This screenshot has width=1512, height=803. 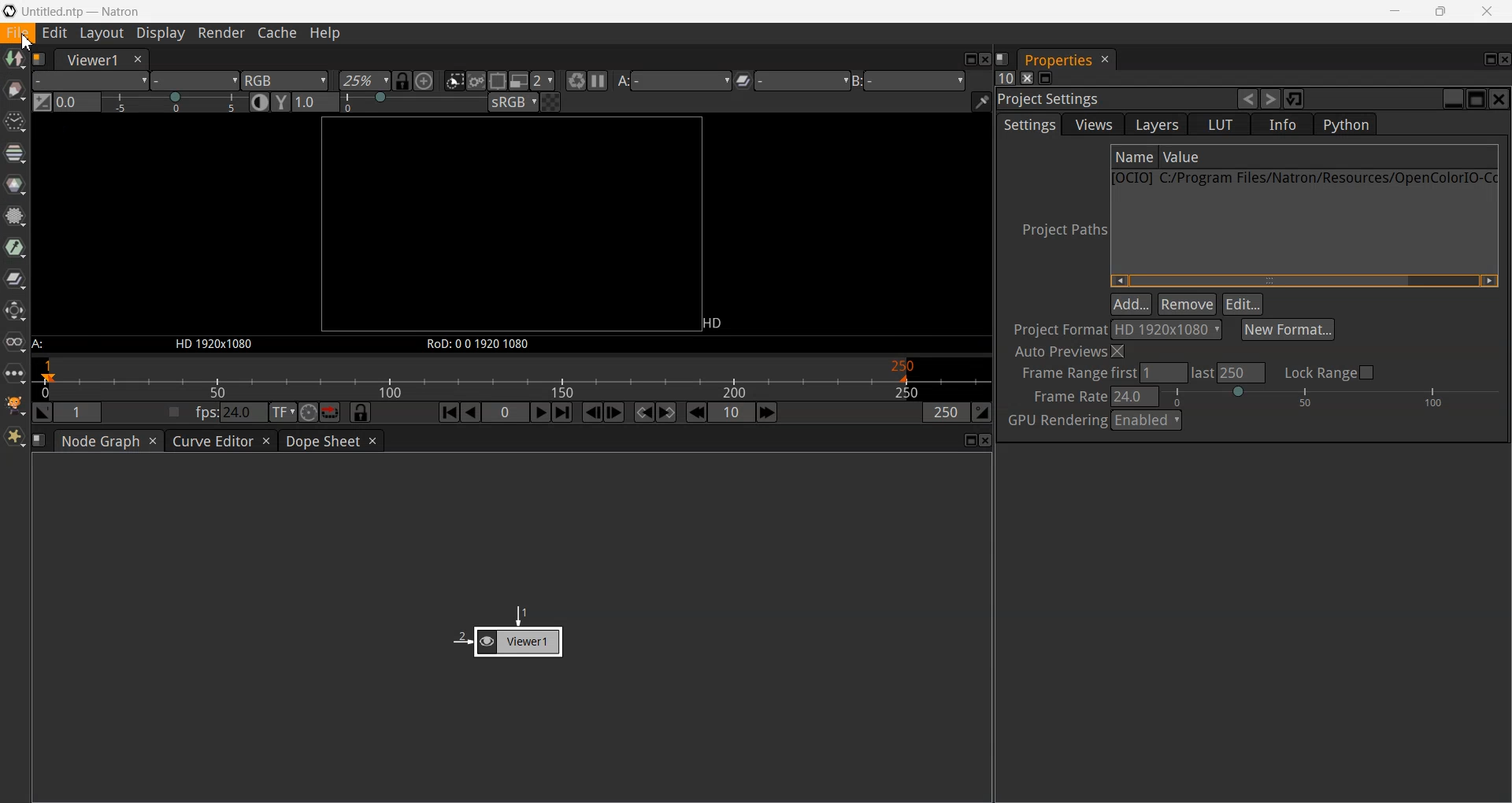 What do you see at coordinates (233, 412) in the screenshot?
I see `Manual edit fps` at bounding box center [233, 412].